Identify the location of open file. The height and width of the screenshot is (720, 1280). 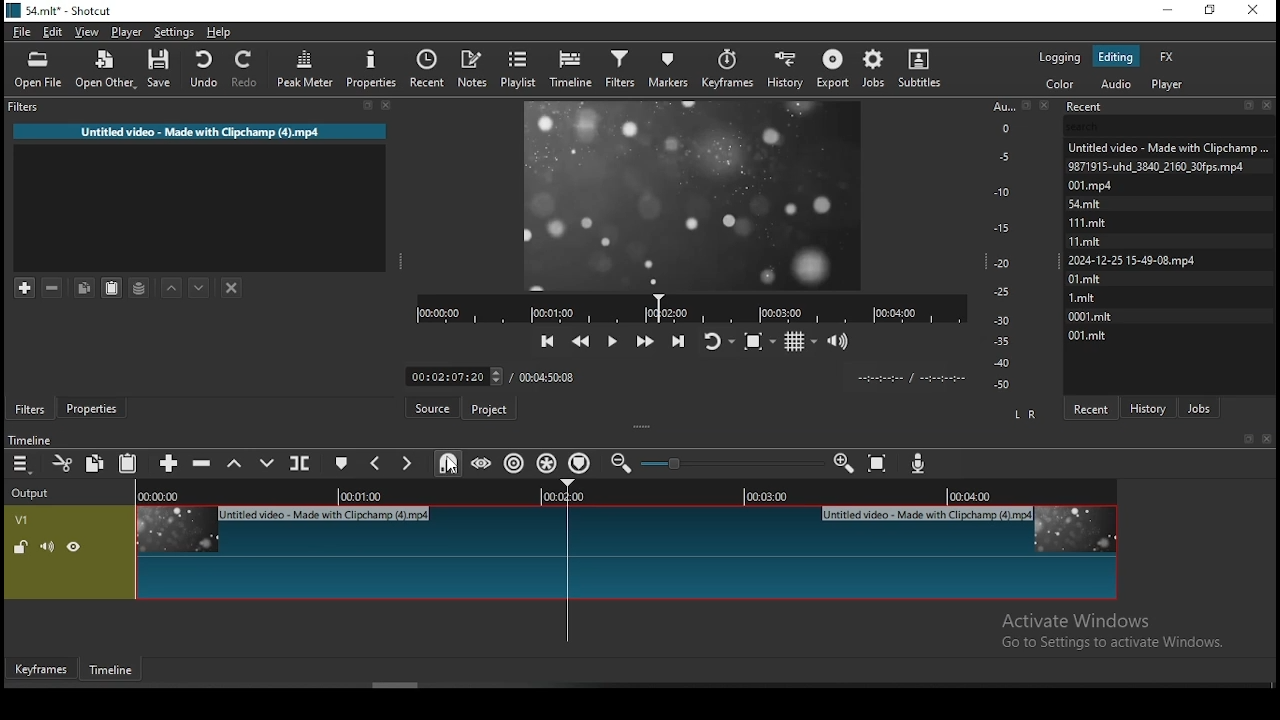
(40, 71).